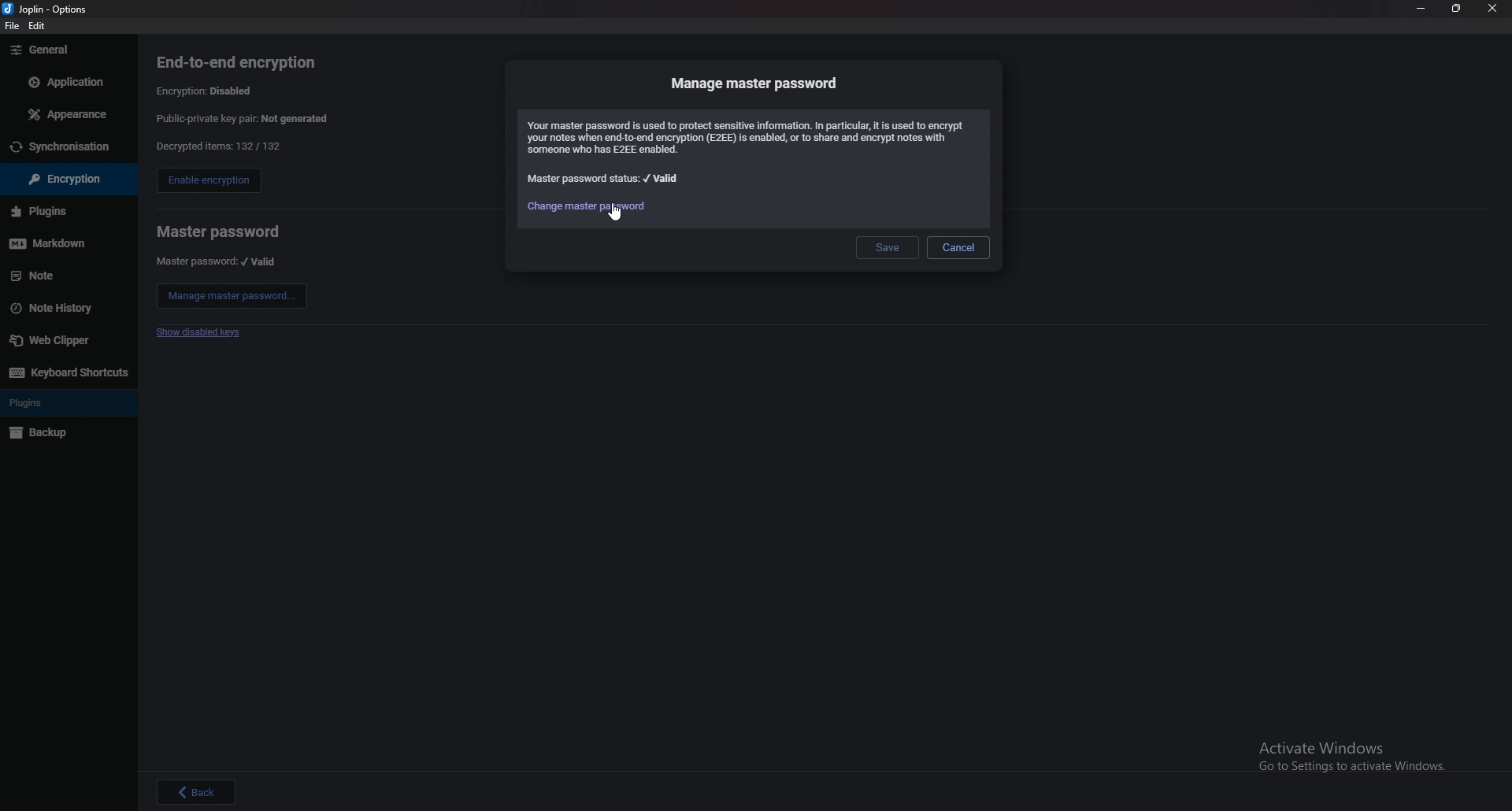  Describe the element at coordinates (586, 205) in the screenshot. I see `change master password` at that location.